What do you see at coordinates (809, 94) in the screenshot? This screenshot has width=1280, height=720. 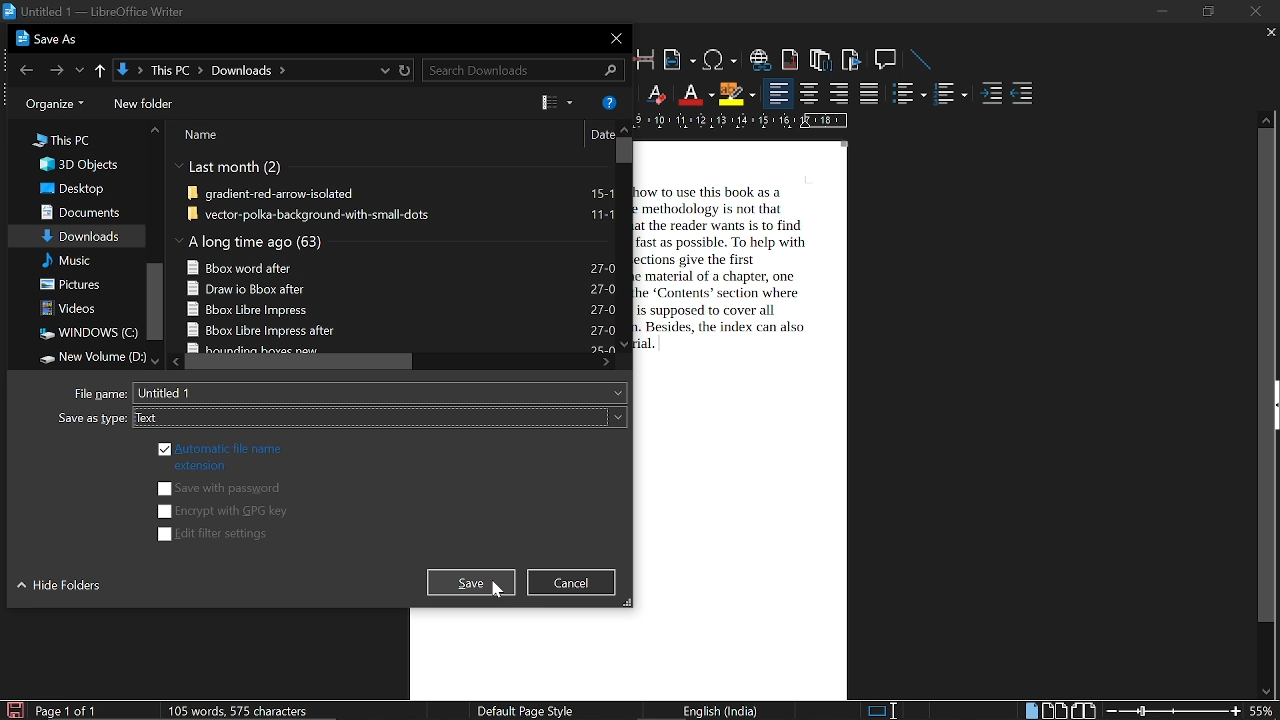 I see `align center` at bounding box center [809, 94].